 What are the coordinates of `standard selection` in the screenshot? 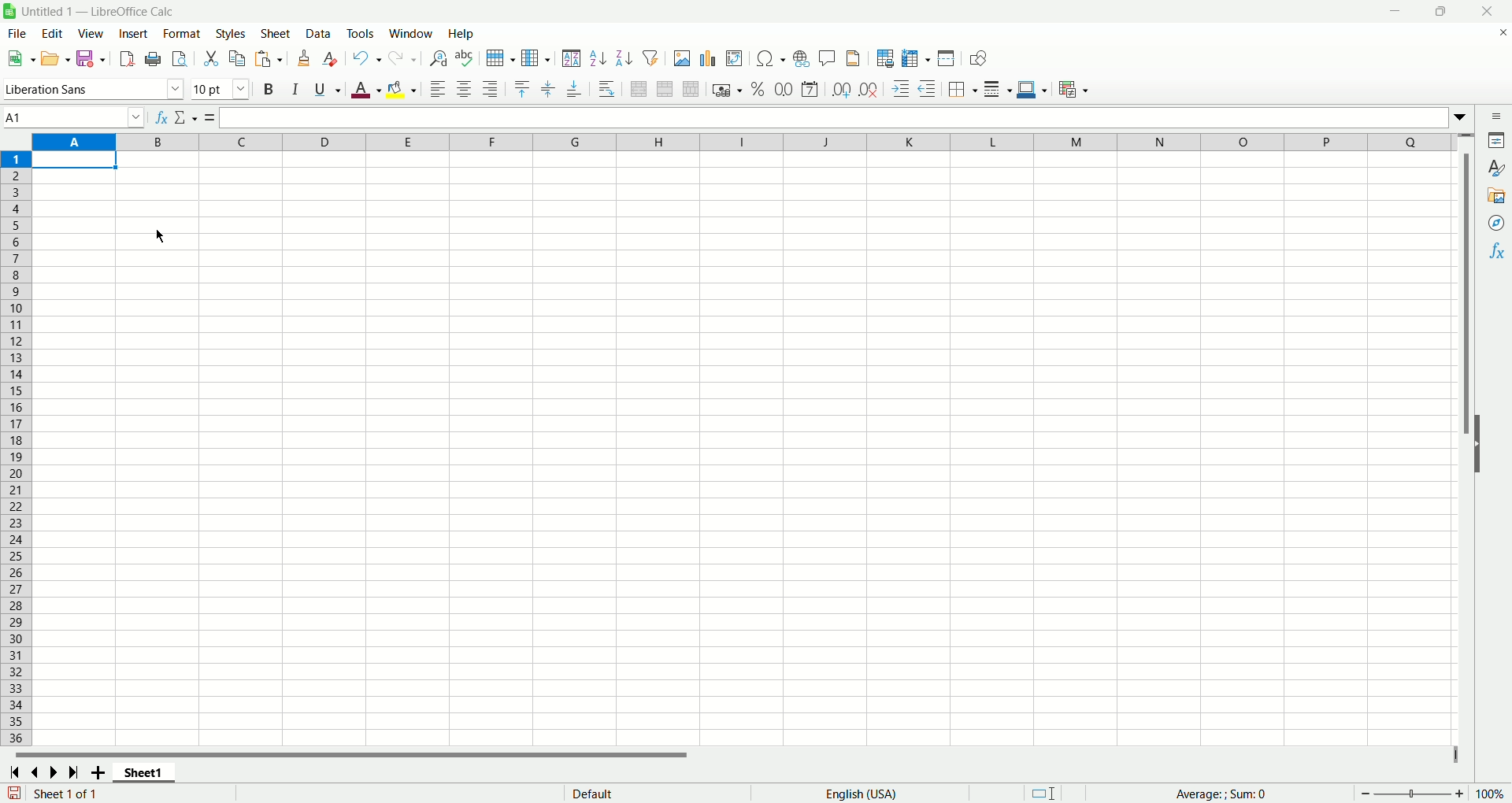 It's located at (1045, 794).